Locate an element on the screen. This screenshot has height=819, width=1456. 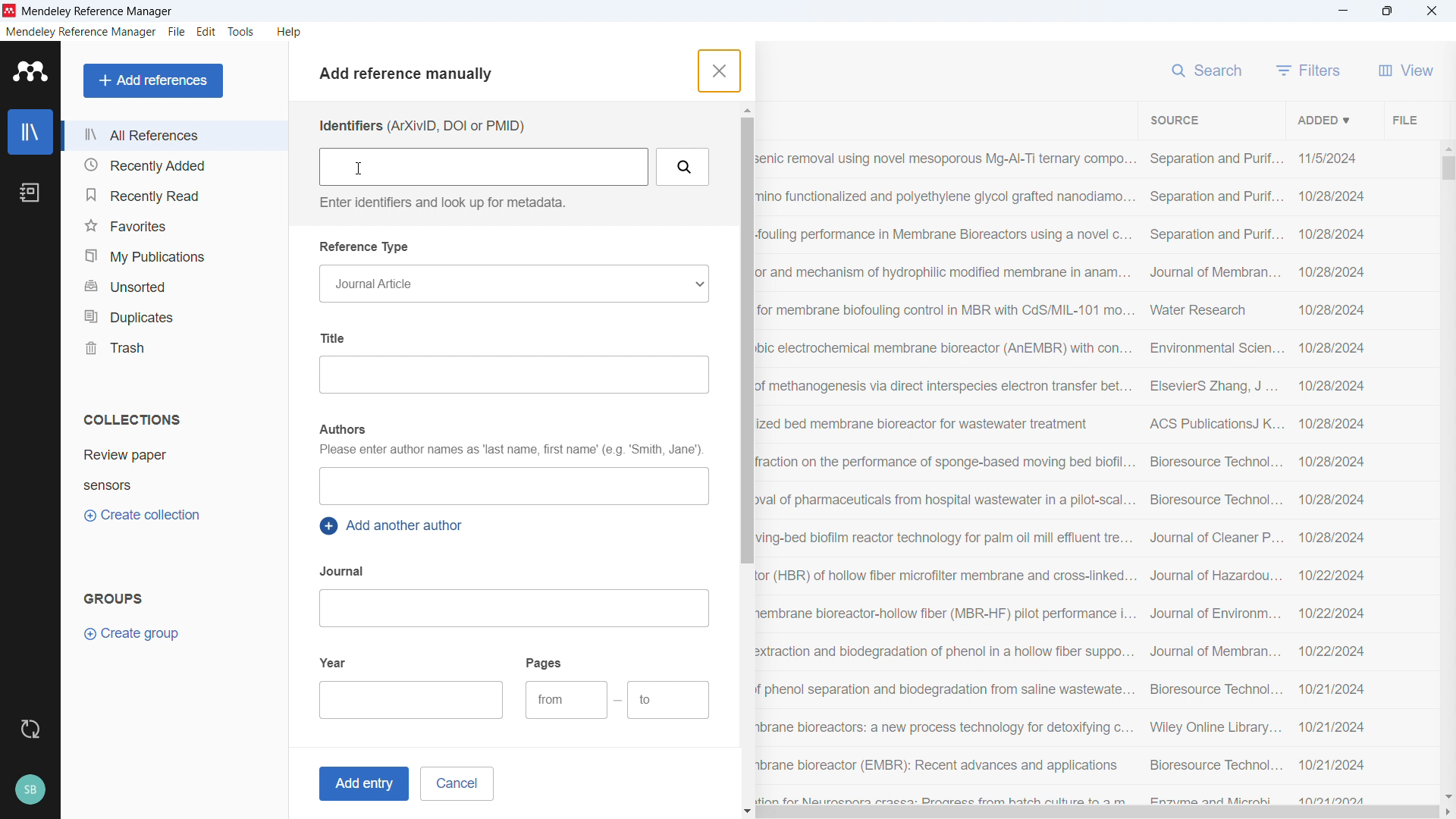
Notebook  is located at coordinates (30, 193).